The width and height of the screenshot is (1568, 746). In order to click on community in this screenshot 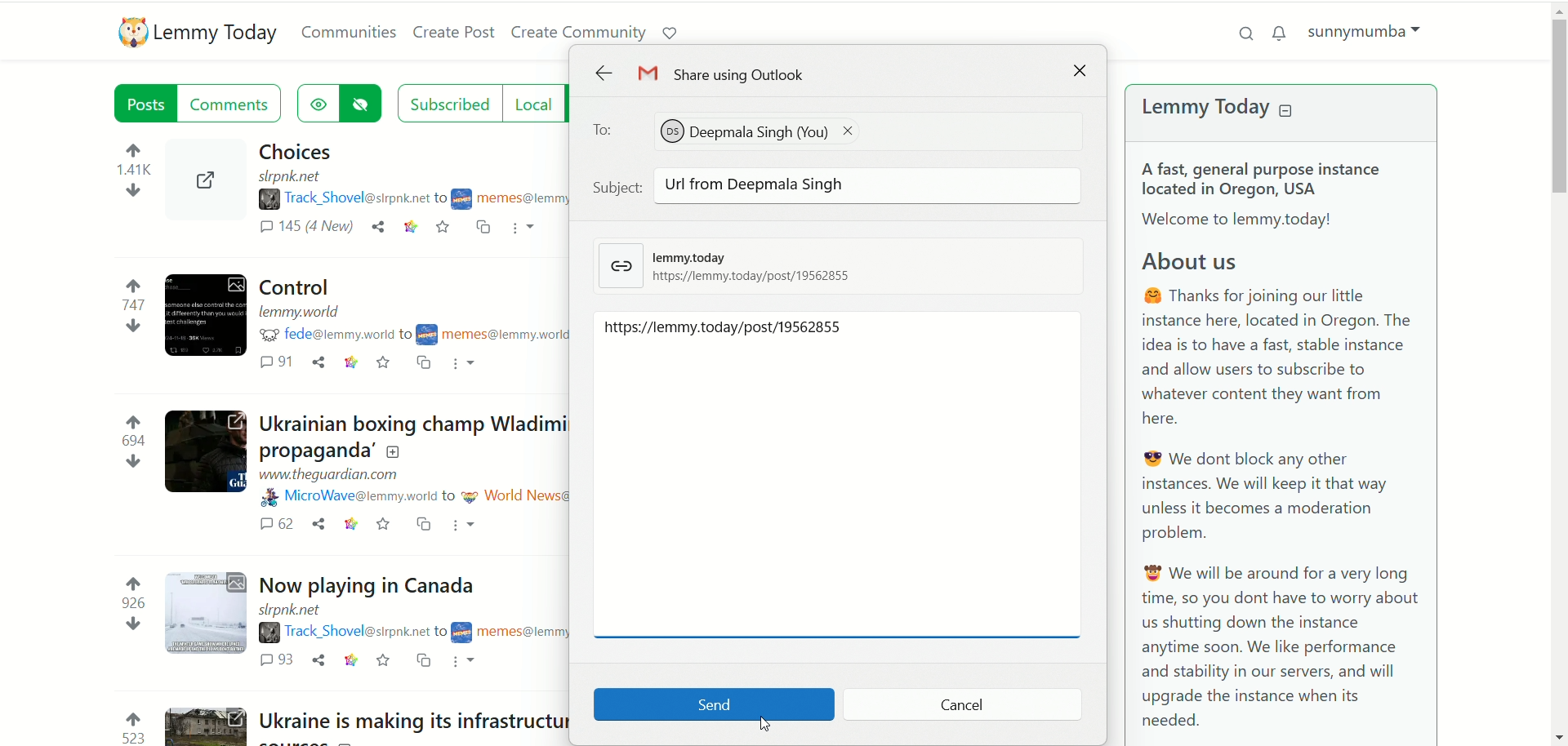, I will do `click(522, 496)`.